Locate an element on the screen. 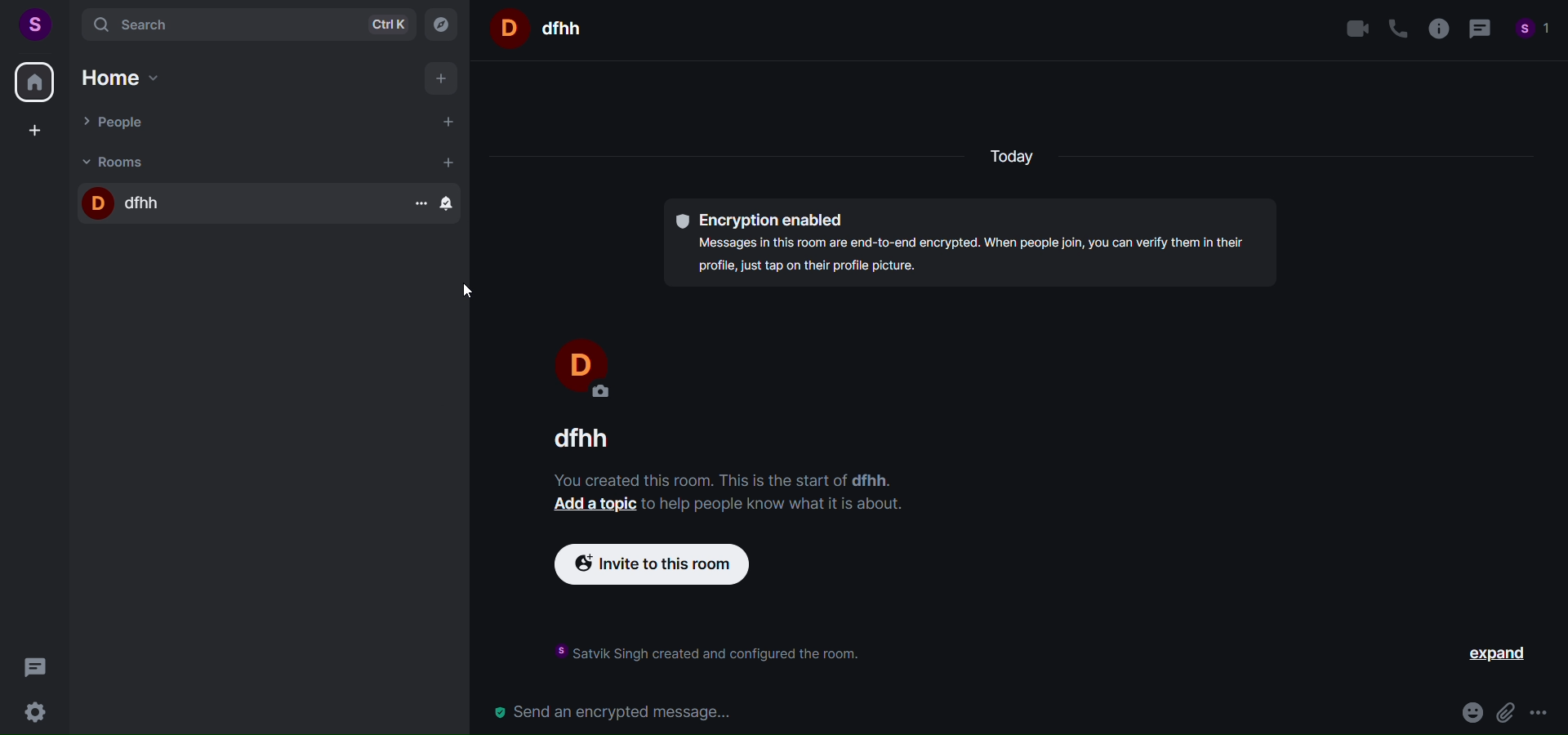 The height and width of the screenshot is (735, 1568). send an encrypted message is located at coordinates (962, 711).